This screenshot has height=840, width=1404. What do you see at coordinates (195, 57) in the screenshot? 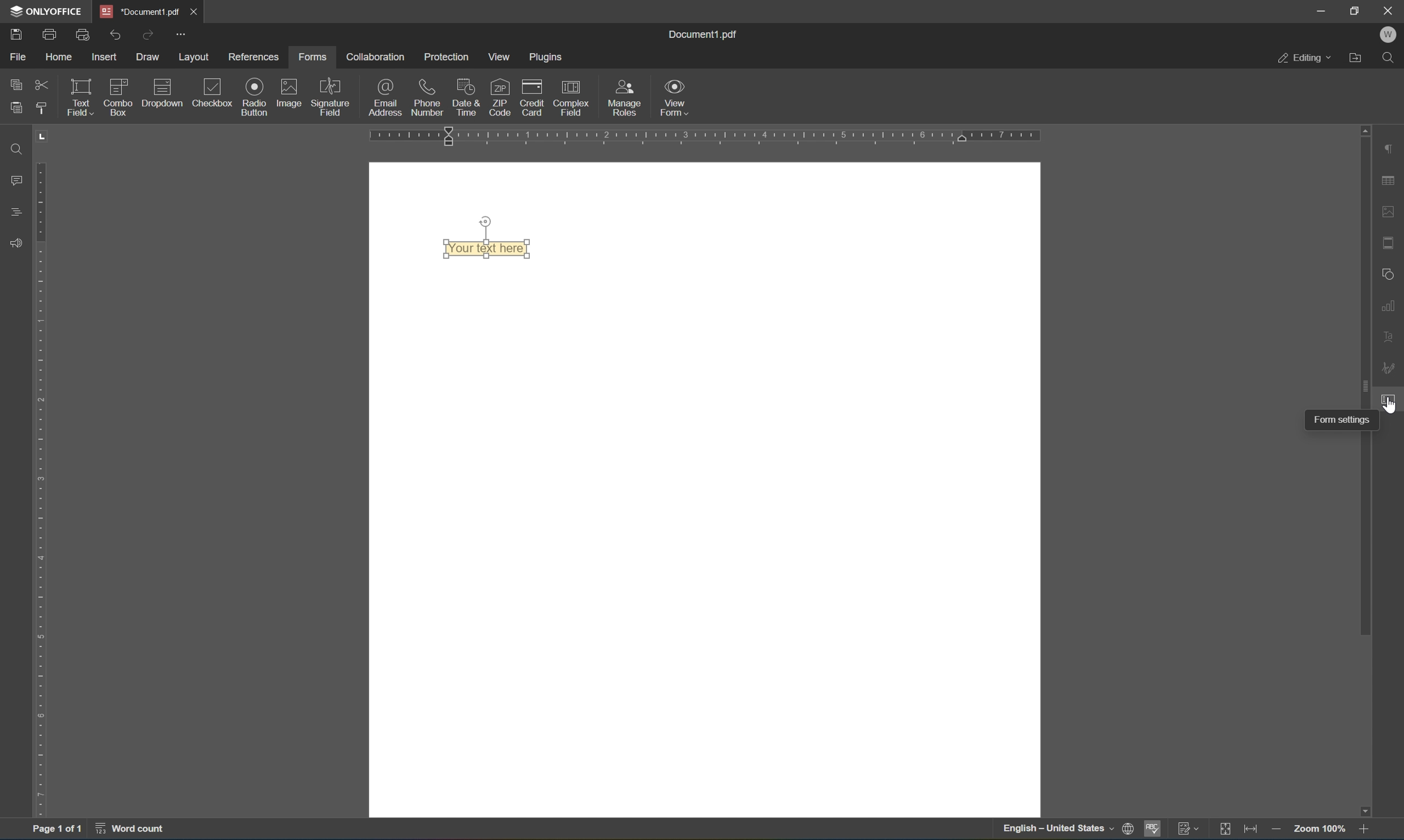
I see `layout` at bounding box center [195, 57].